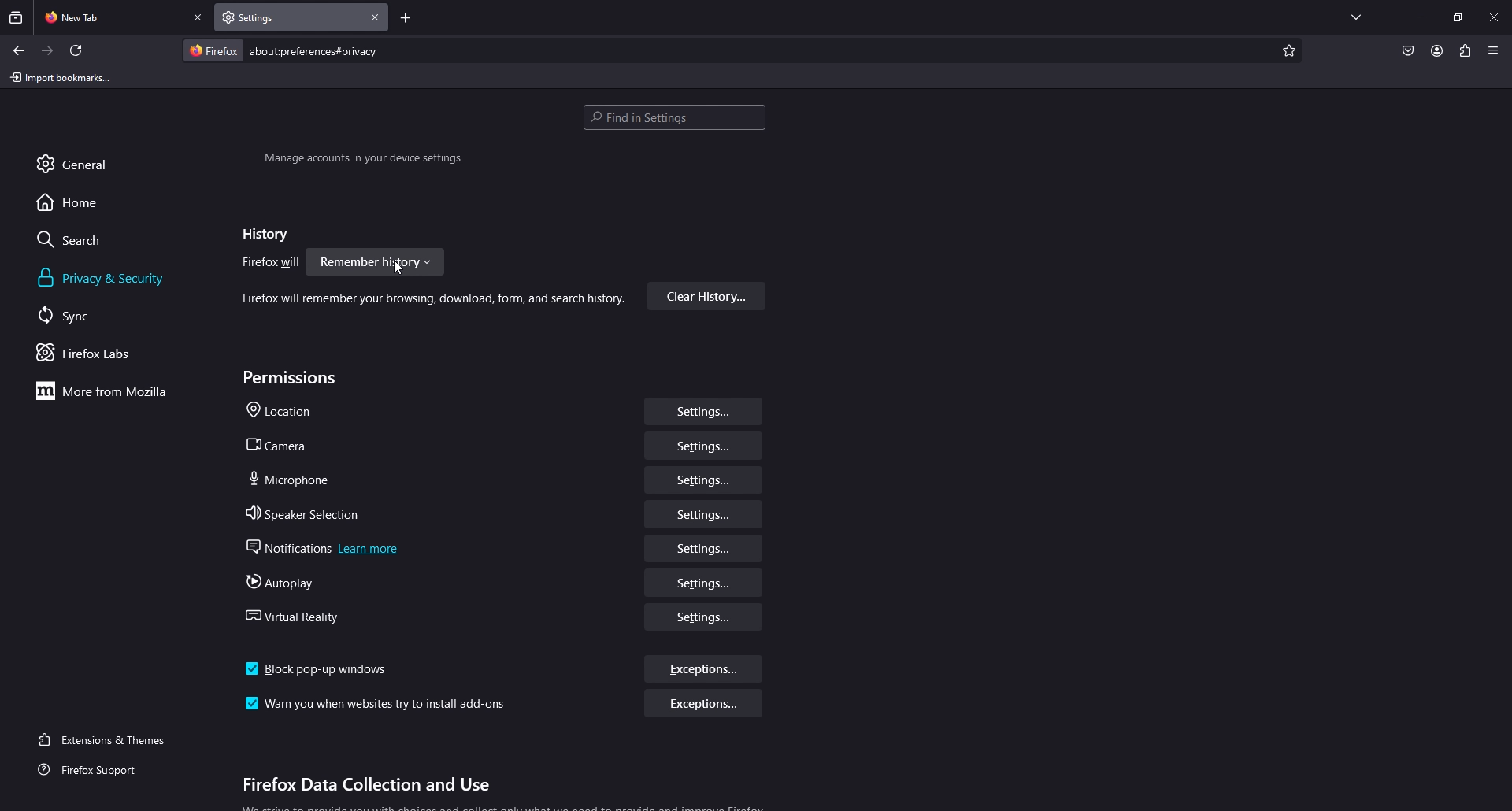 The image size is (1512, 811). I want to click on sync, so click(82, 315).